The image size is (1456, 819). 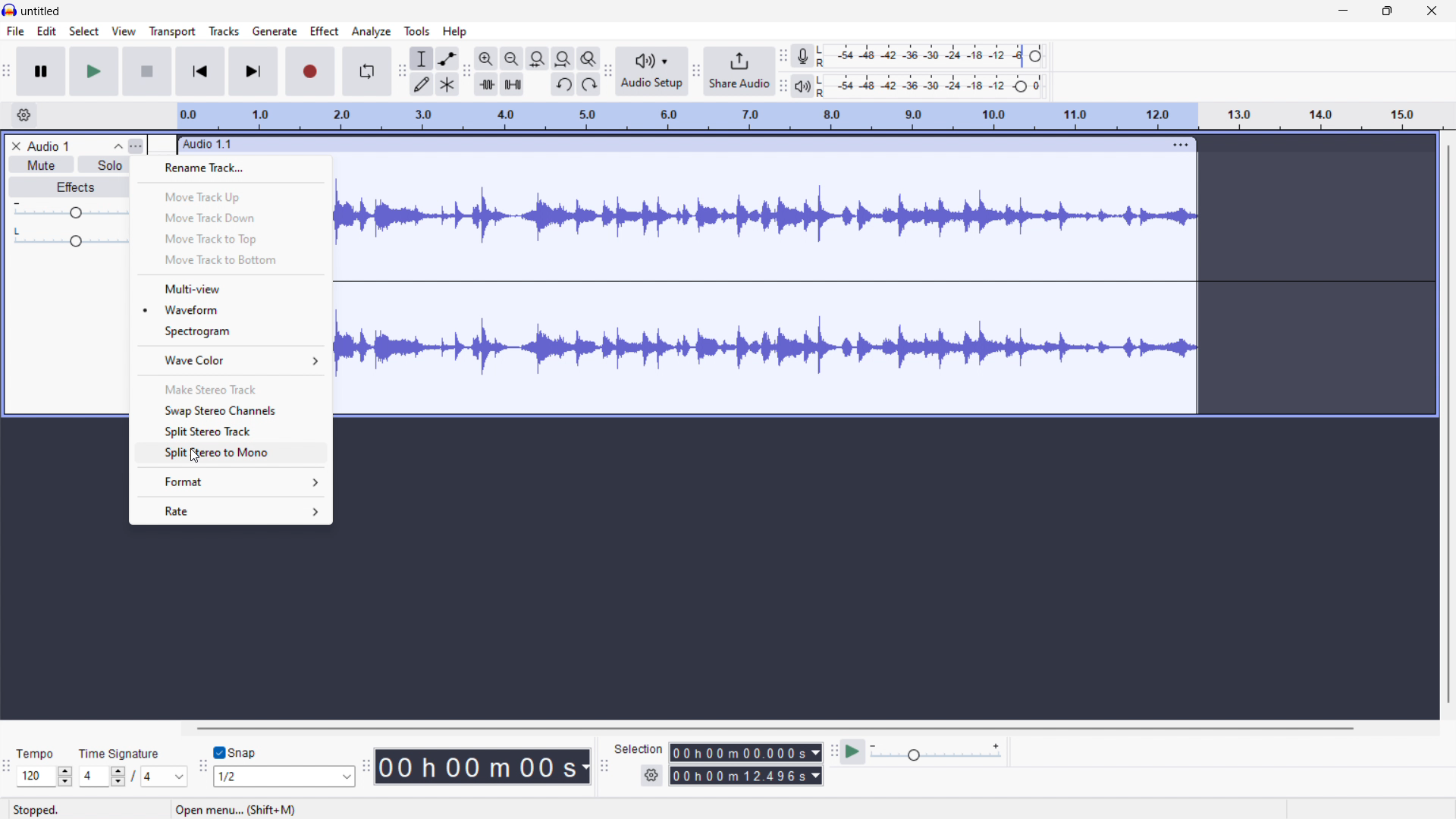 What do you see at coordinates (67, 776) in the screenshot?
I see `Drop down` at bounding box center [67, 776].